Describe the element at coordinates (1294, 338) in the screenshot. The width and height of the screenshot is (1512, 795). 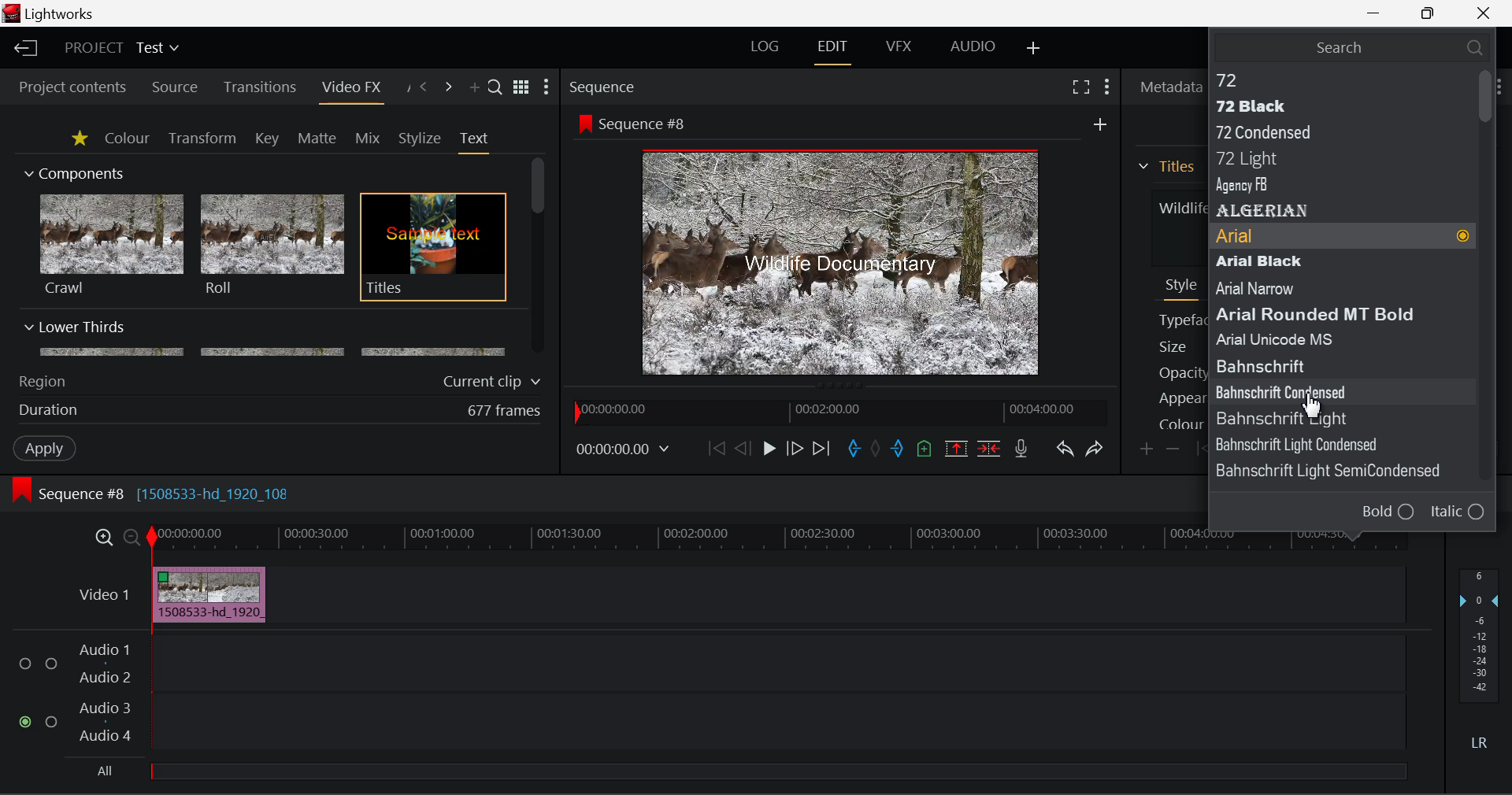
I see `Arial Unicode MS` at that location.